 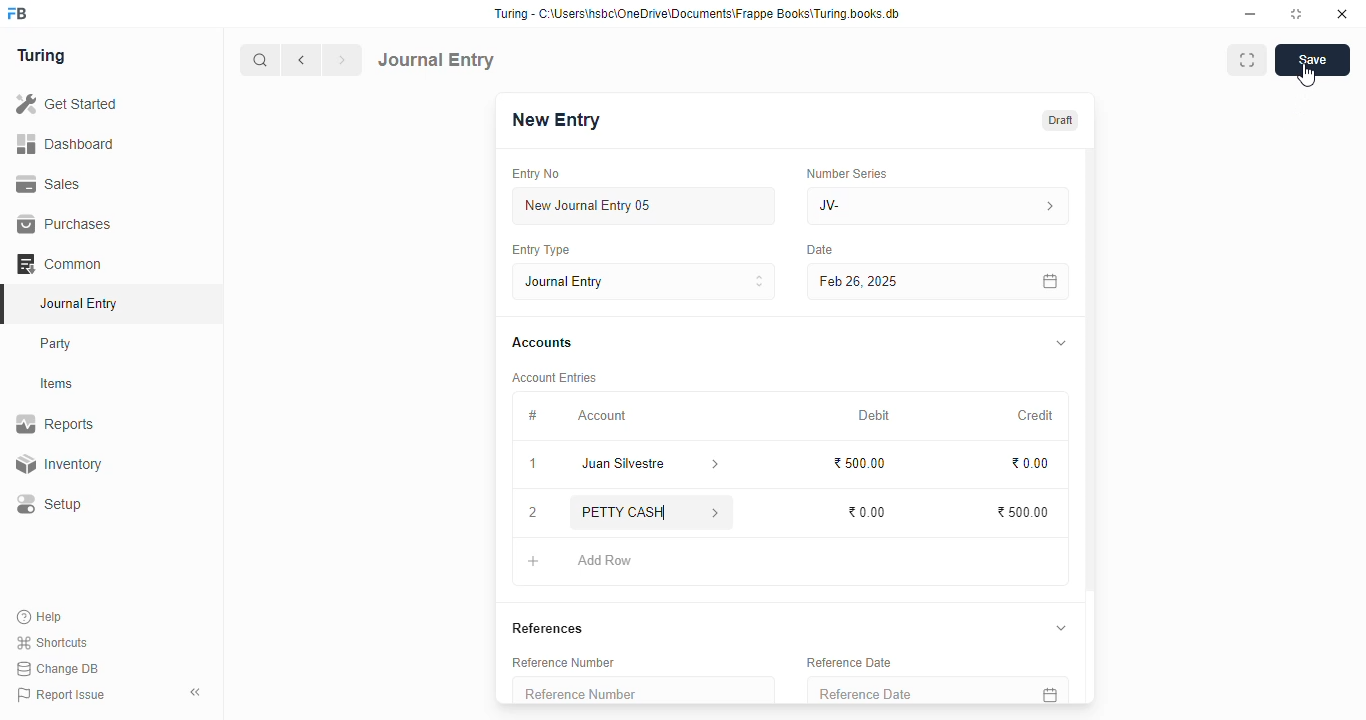 What do you see at coordinates (859, 463) in the screenshot?
I see `₹500.00` at bounding box center [859, 463].